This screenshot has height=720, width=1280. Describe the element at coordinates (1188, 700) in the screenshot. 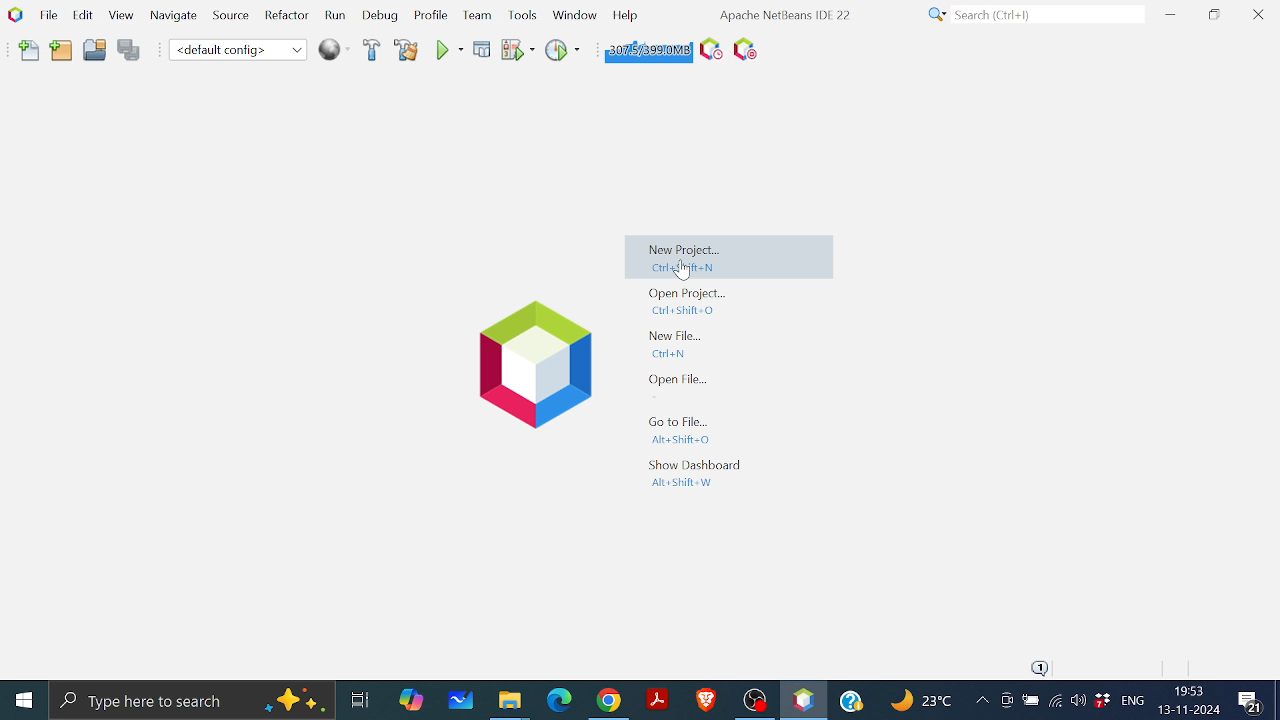

I see `Date and time` at that location.